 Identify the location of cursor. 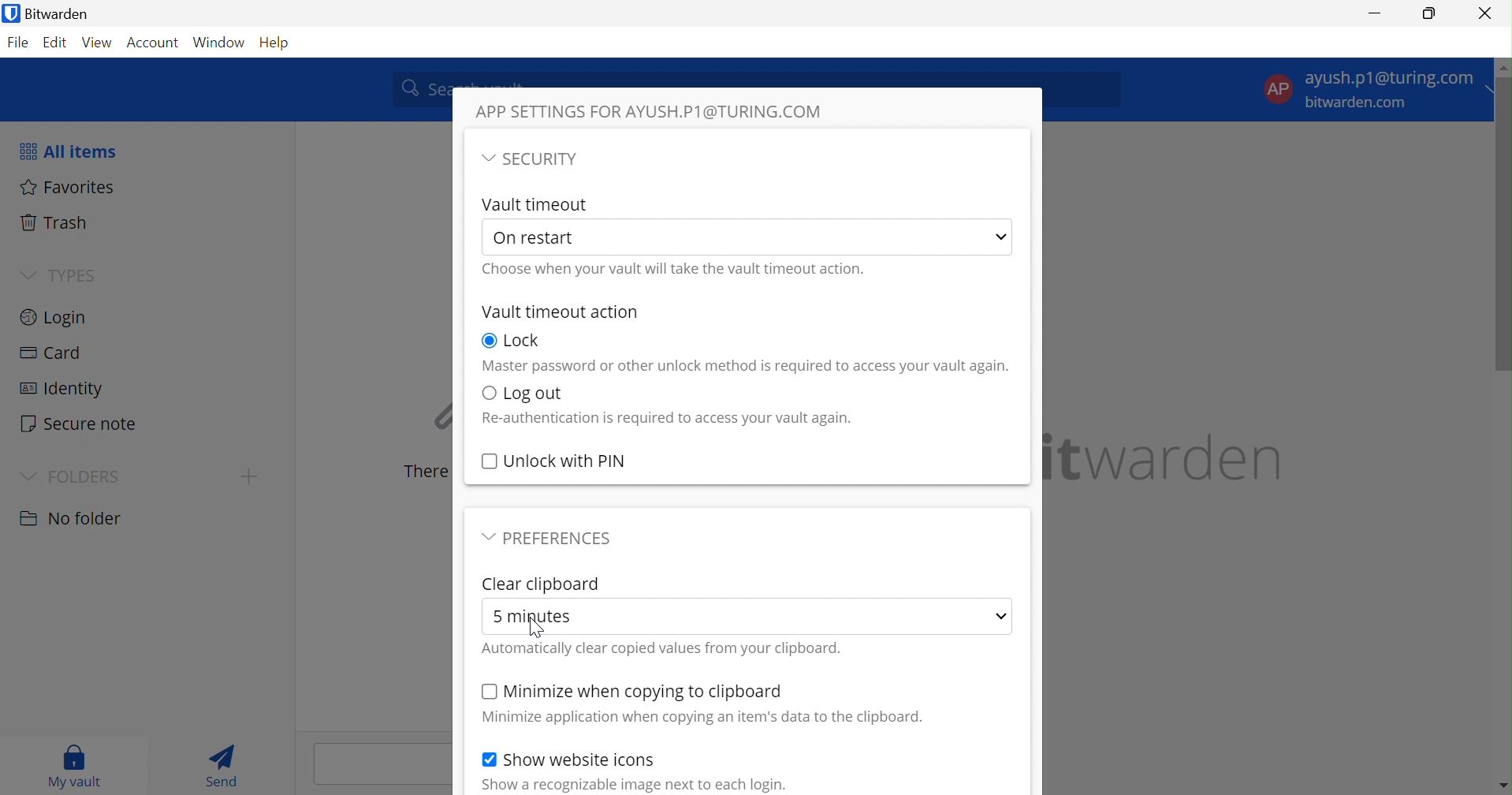
(538, 626).